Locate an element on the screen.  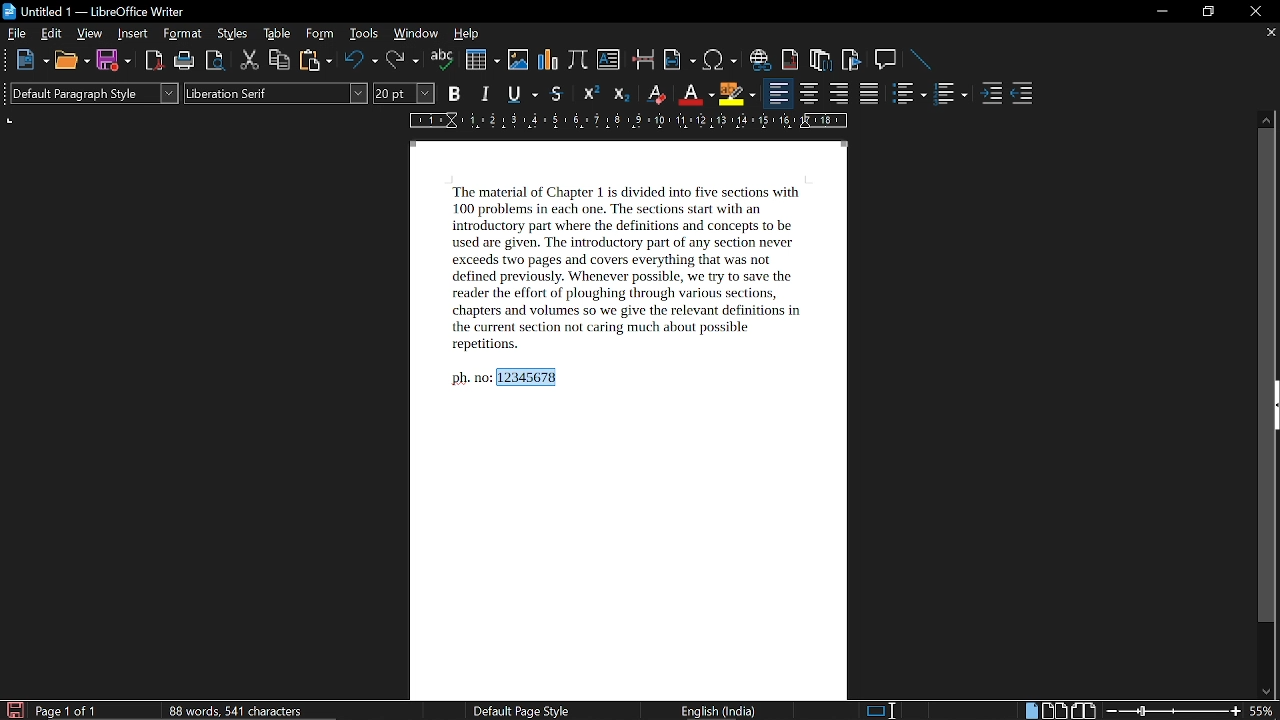
page 1 of 1 is located at coordinates (67, 712).